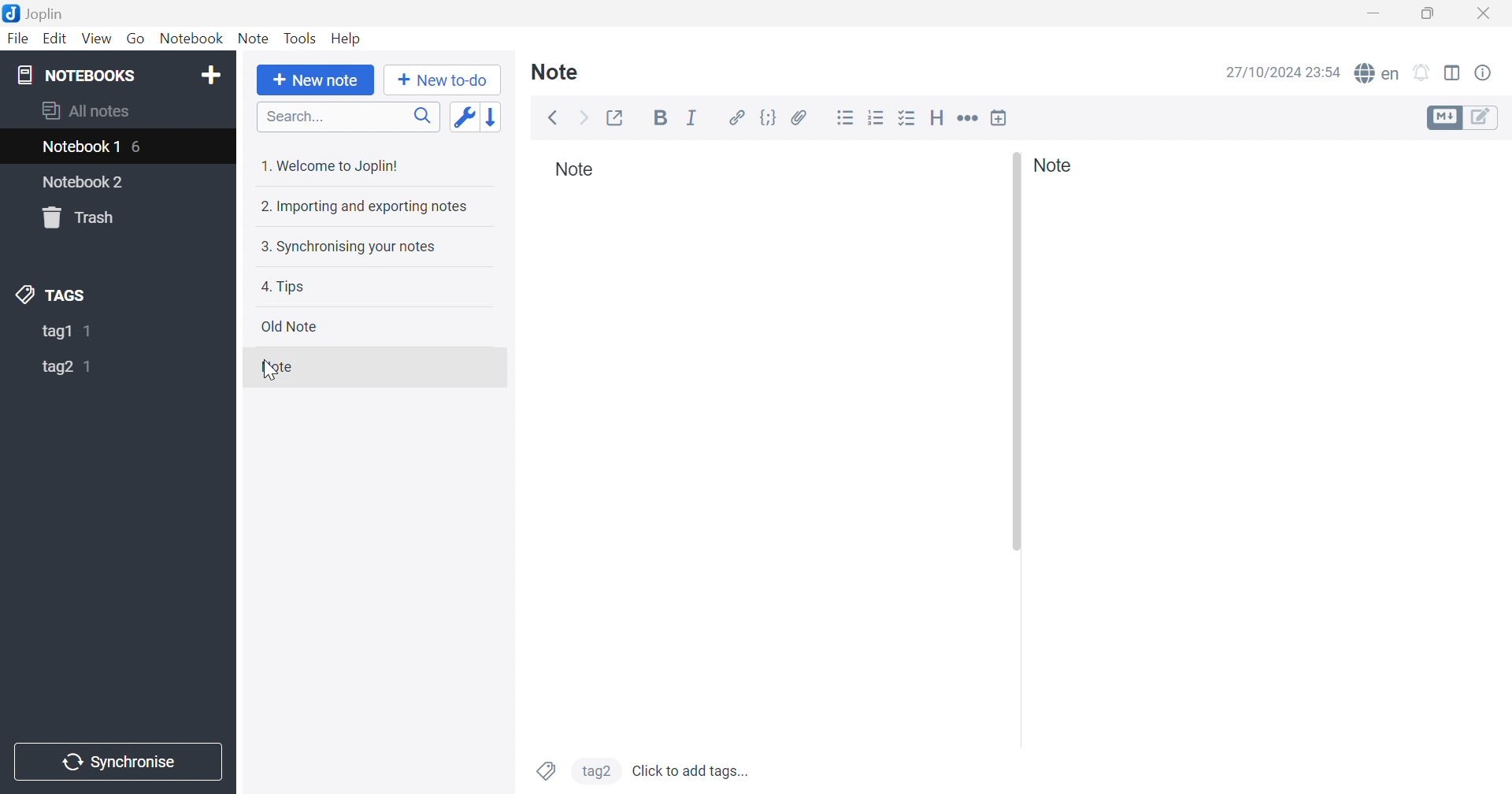  What do you see at coordinates (595, 770) in the screenshot?
I see `tag2` at bounding box center [595, 770].